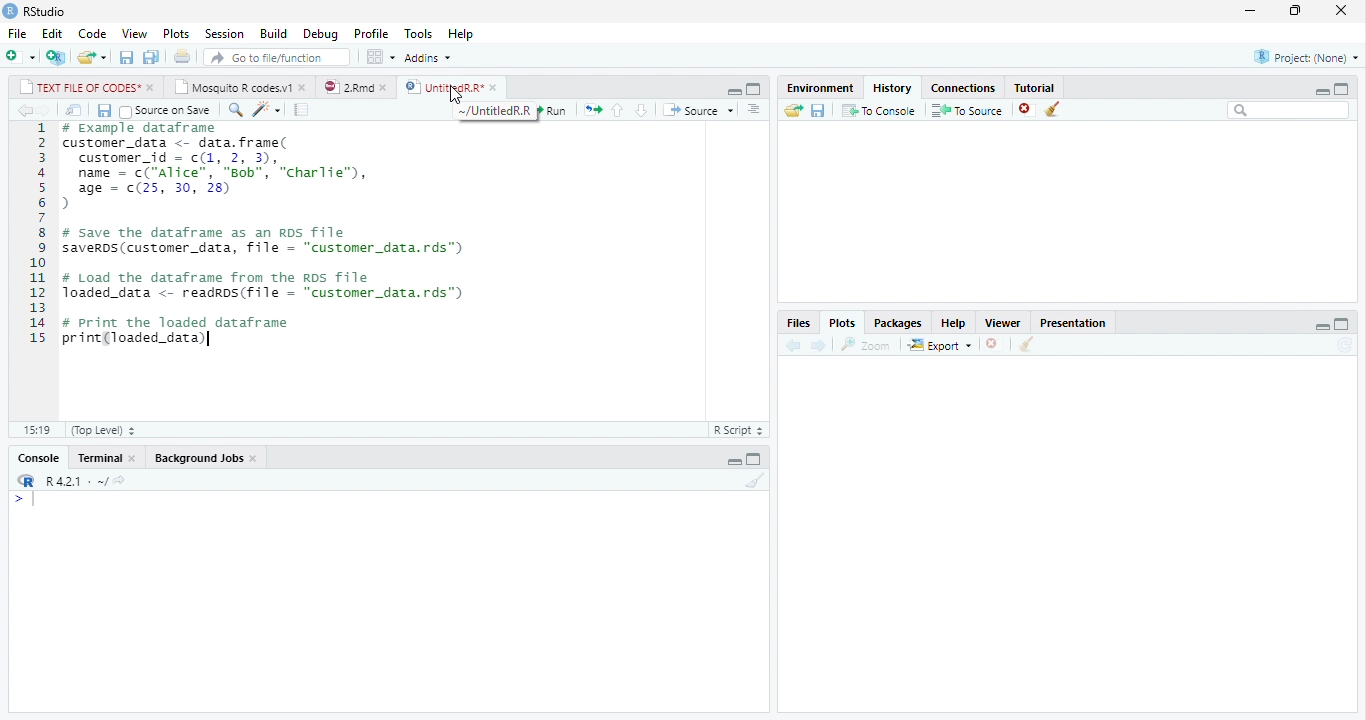  Describe the element at coordinates (618, 111) in the screenshot. I see `up` at that location.